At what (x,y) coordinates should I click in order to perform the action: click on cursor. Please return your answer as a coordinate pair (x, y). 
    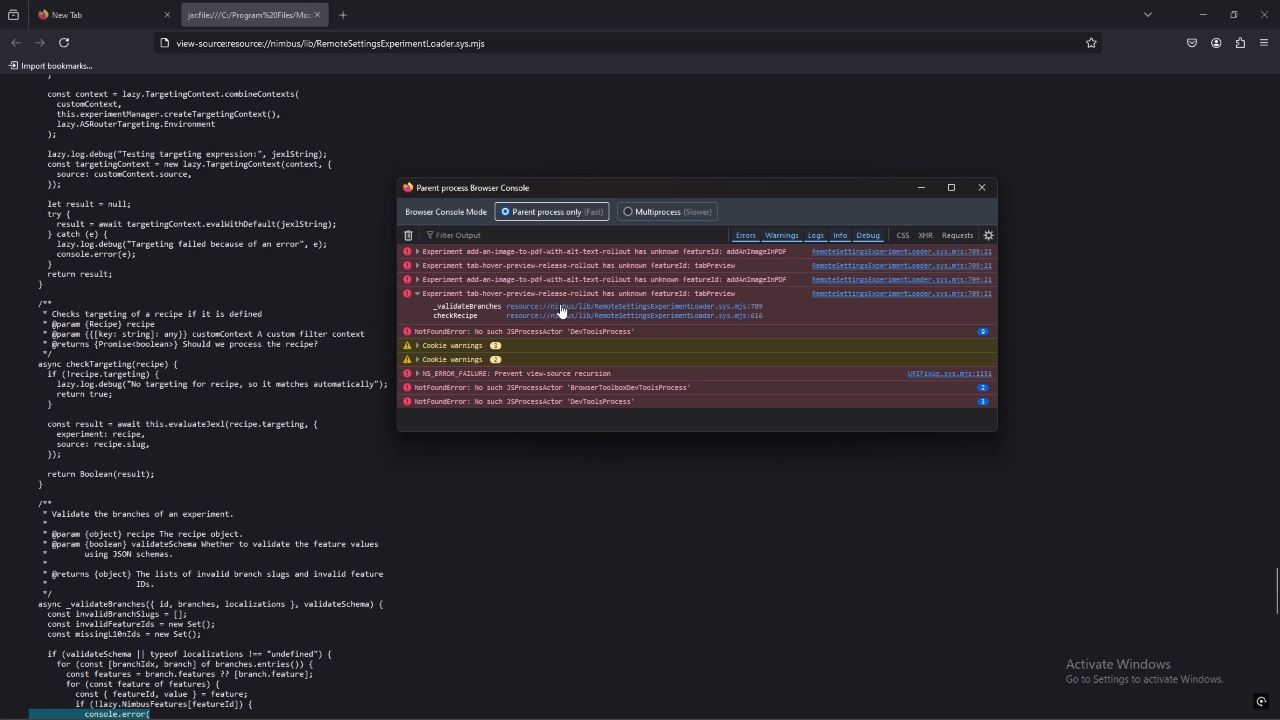
    Looking at the image, I should click on (563, 314).